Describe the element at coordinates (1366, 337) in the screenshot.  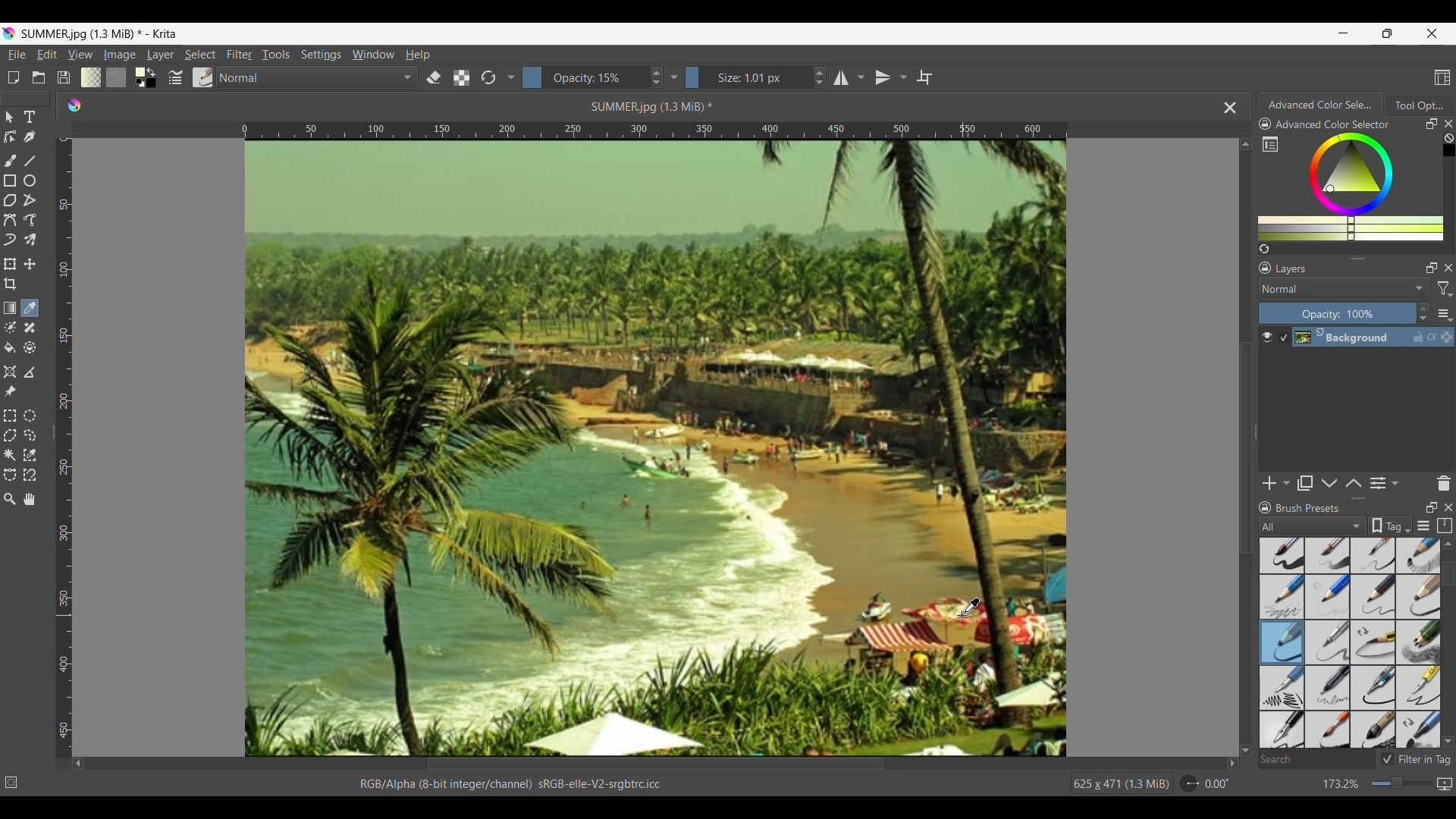
I see `Background` at that location.